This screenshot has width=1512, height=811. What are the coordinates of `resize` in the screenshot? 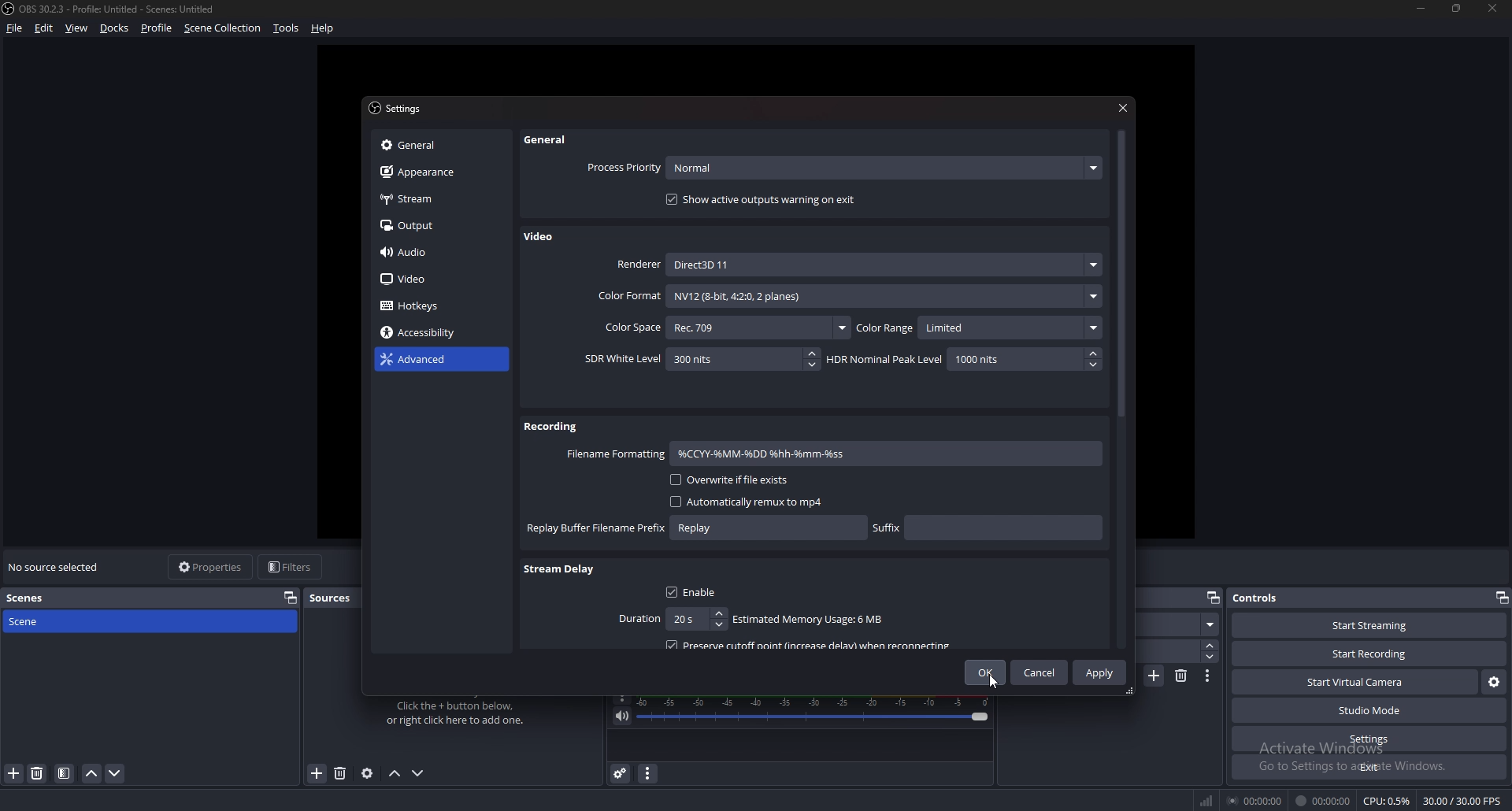 It's located at (1457, 7).